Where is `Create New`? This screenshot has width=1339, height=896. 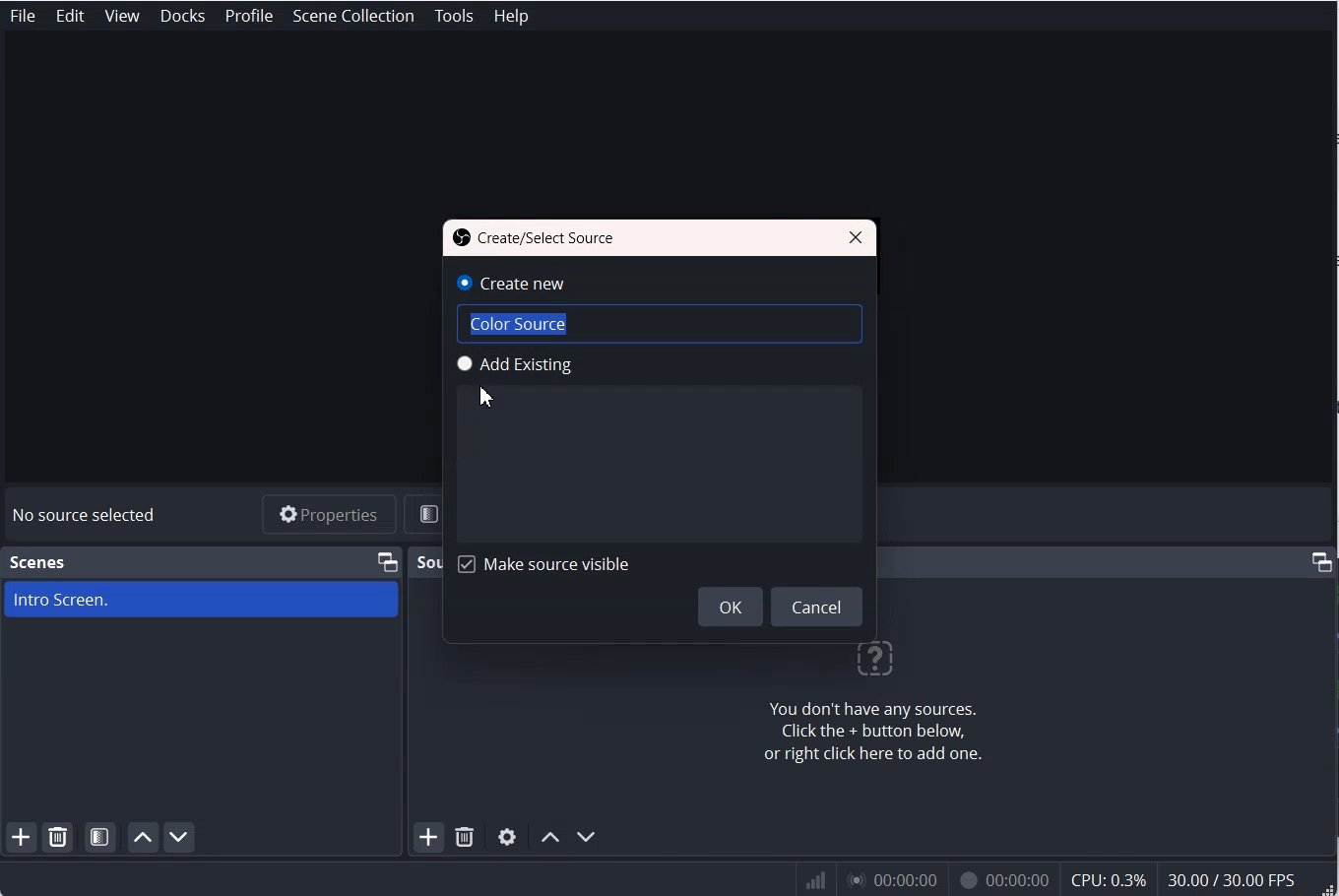 Create New is located at coordinates (548, 281).